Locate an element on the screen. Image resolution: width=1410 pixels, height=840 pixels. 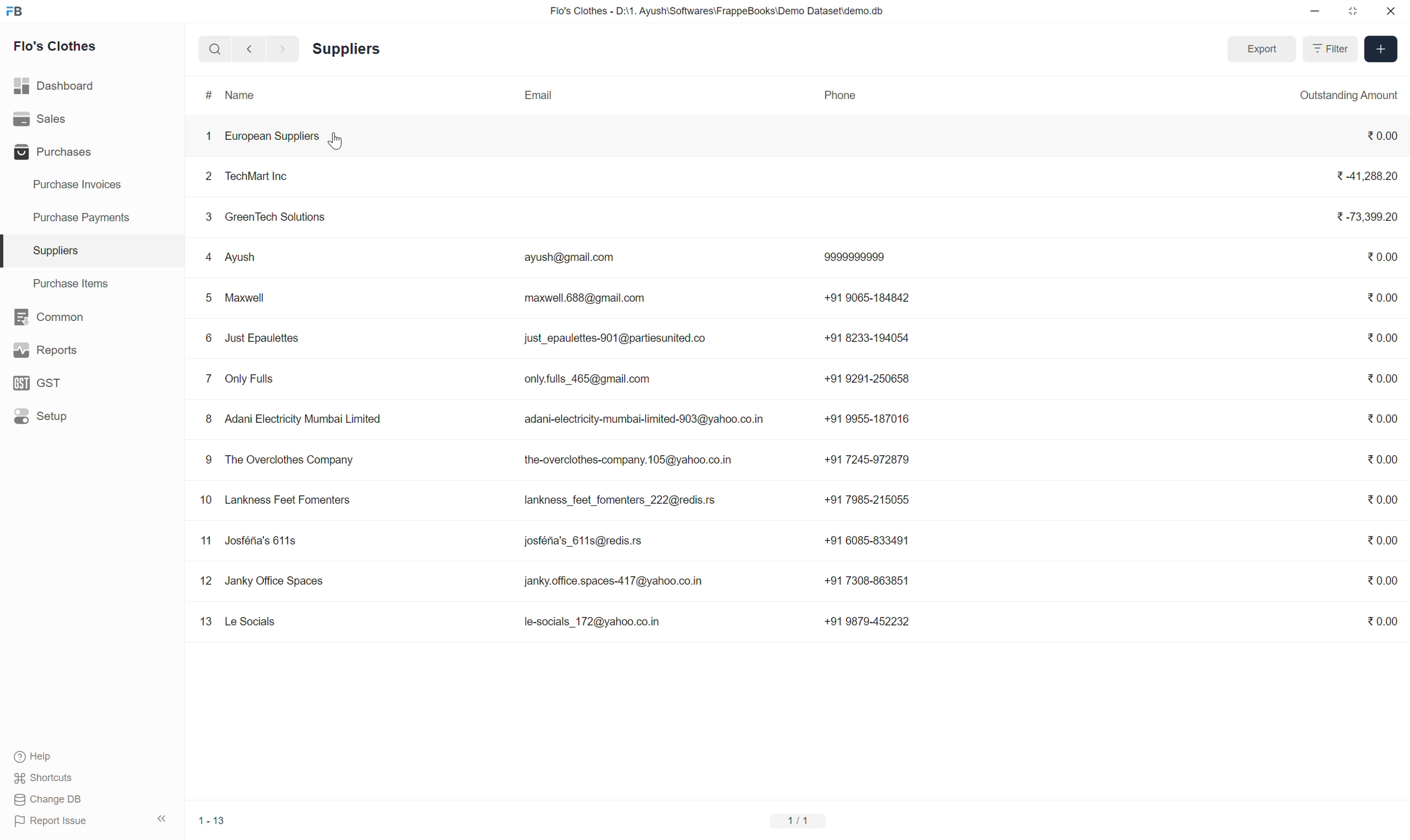
Purchase Invoices is located at coordinates (74, 181).